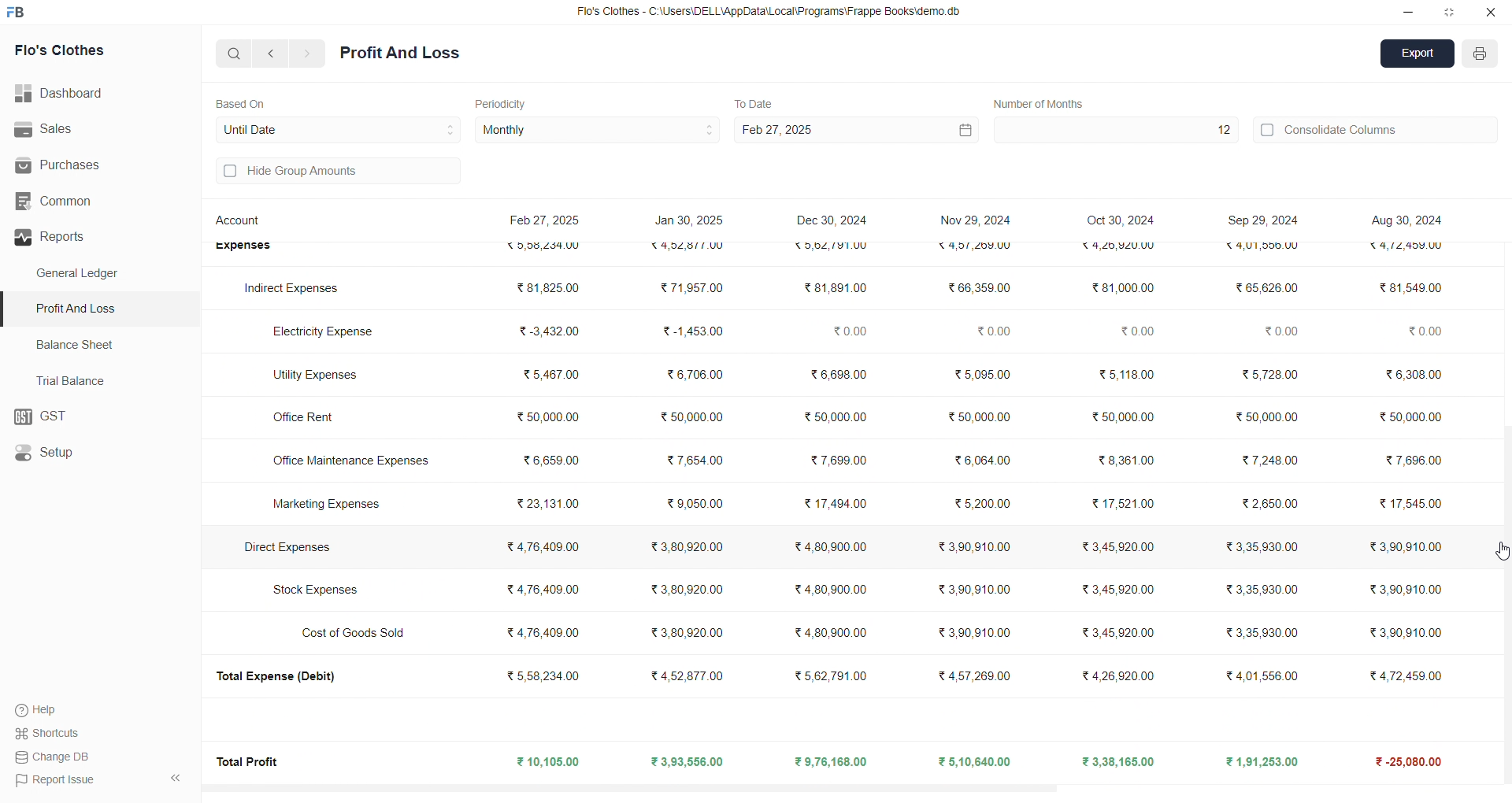  I want to click on 50,000.00, so click(1412, 417).